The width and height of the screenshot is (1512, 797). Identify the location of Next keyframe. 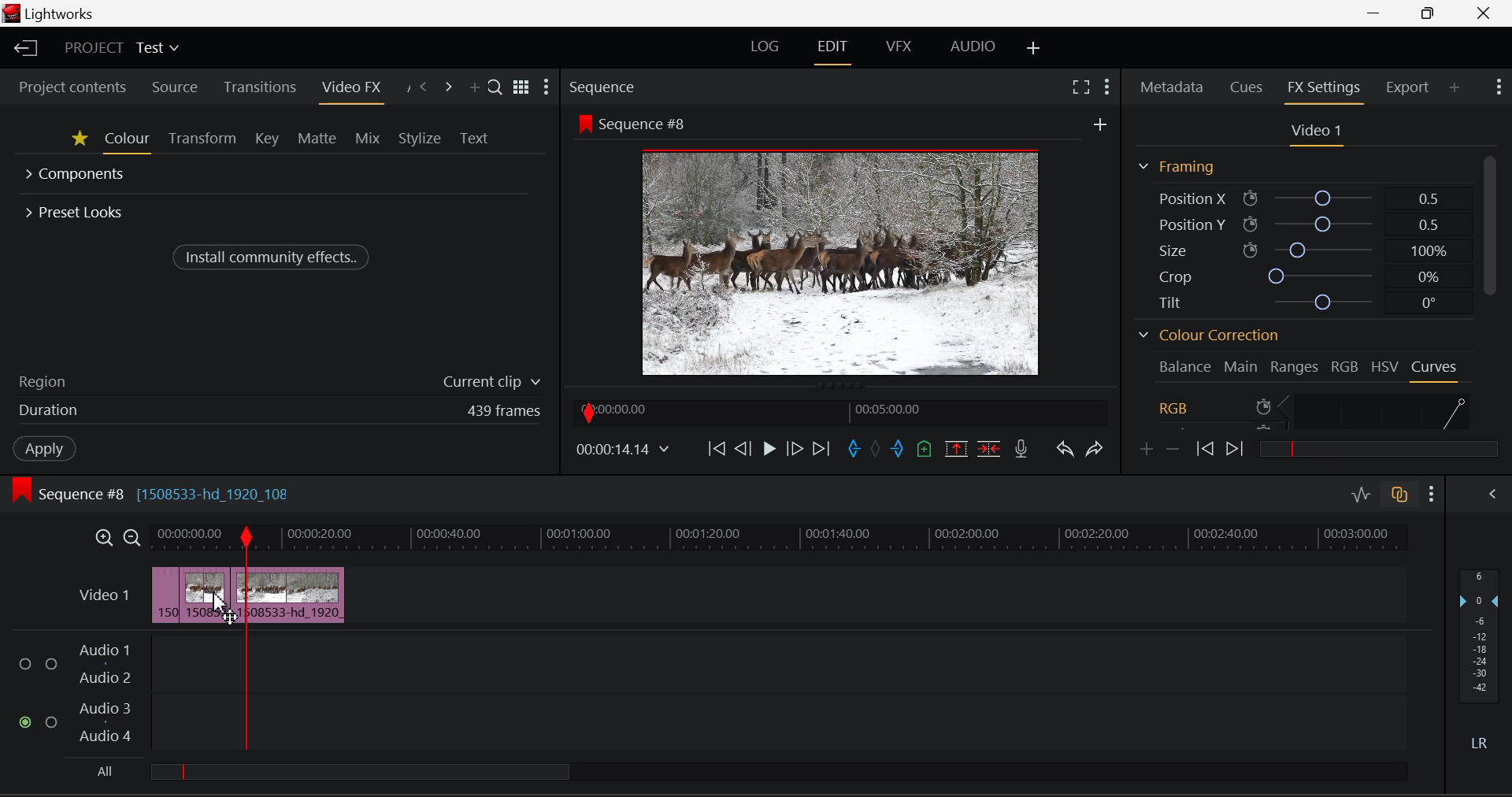
(1238, 446).